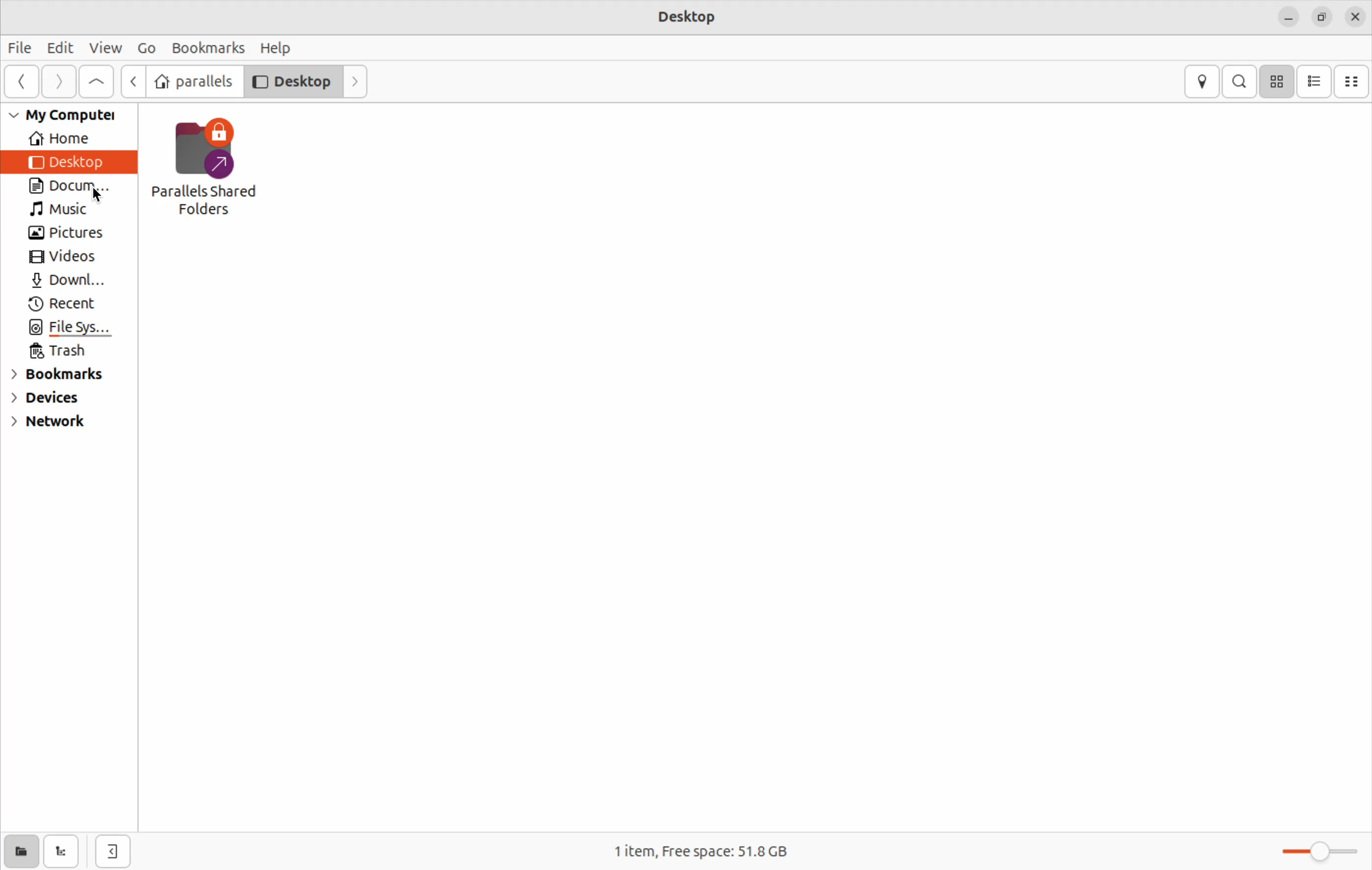 This screenshot has width=1372, height=870. What do you see at coordinates (207, 44) in the screenshot?
I see `Bookmarks` at bounding box center [207, 44].